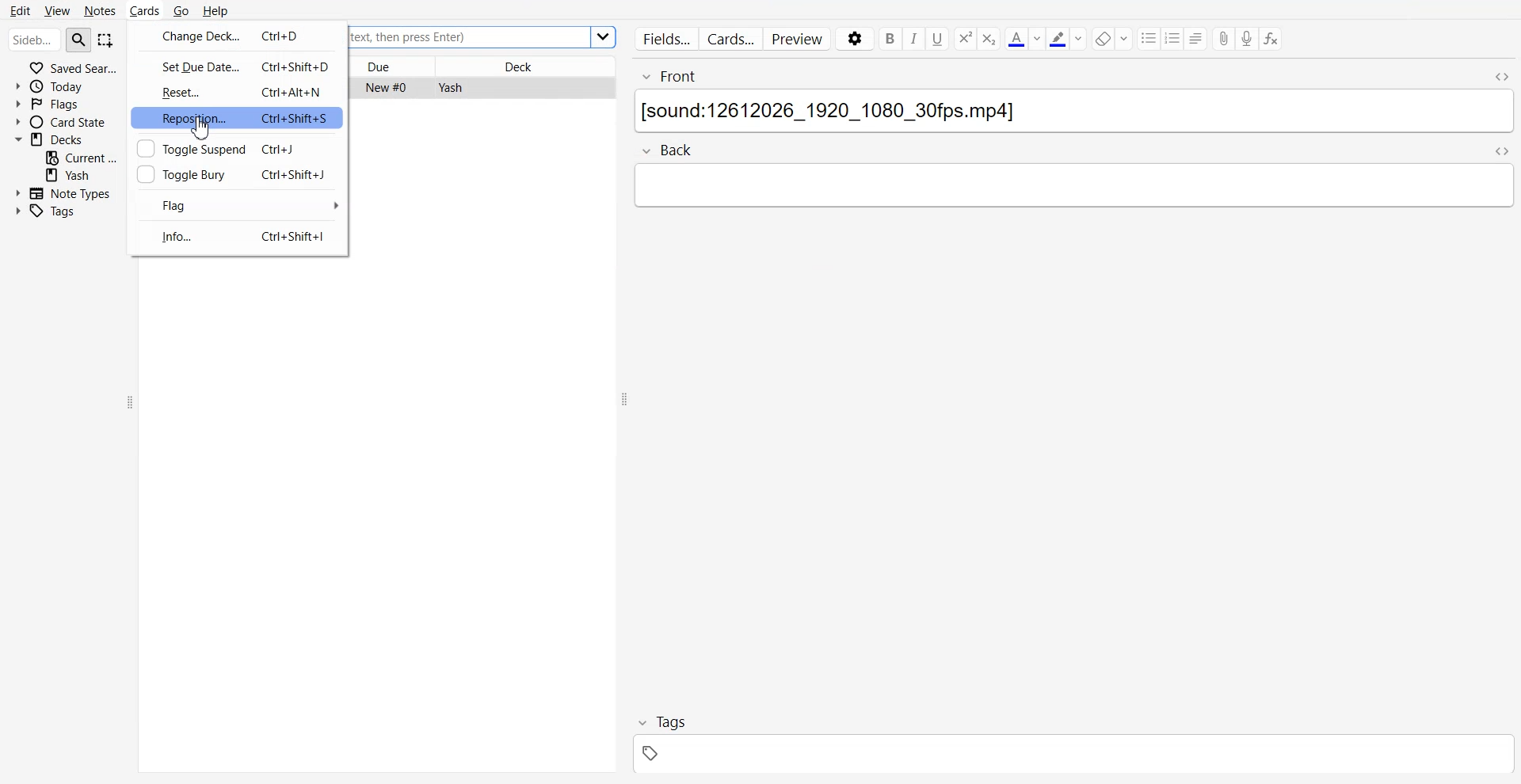 Image resolution: width=1521 pixels, height=784 pixels. Describe the element at coordinates (21, 9) in the screenshot. I see `Edit` at that location.